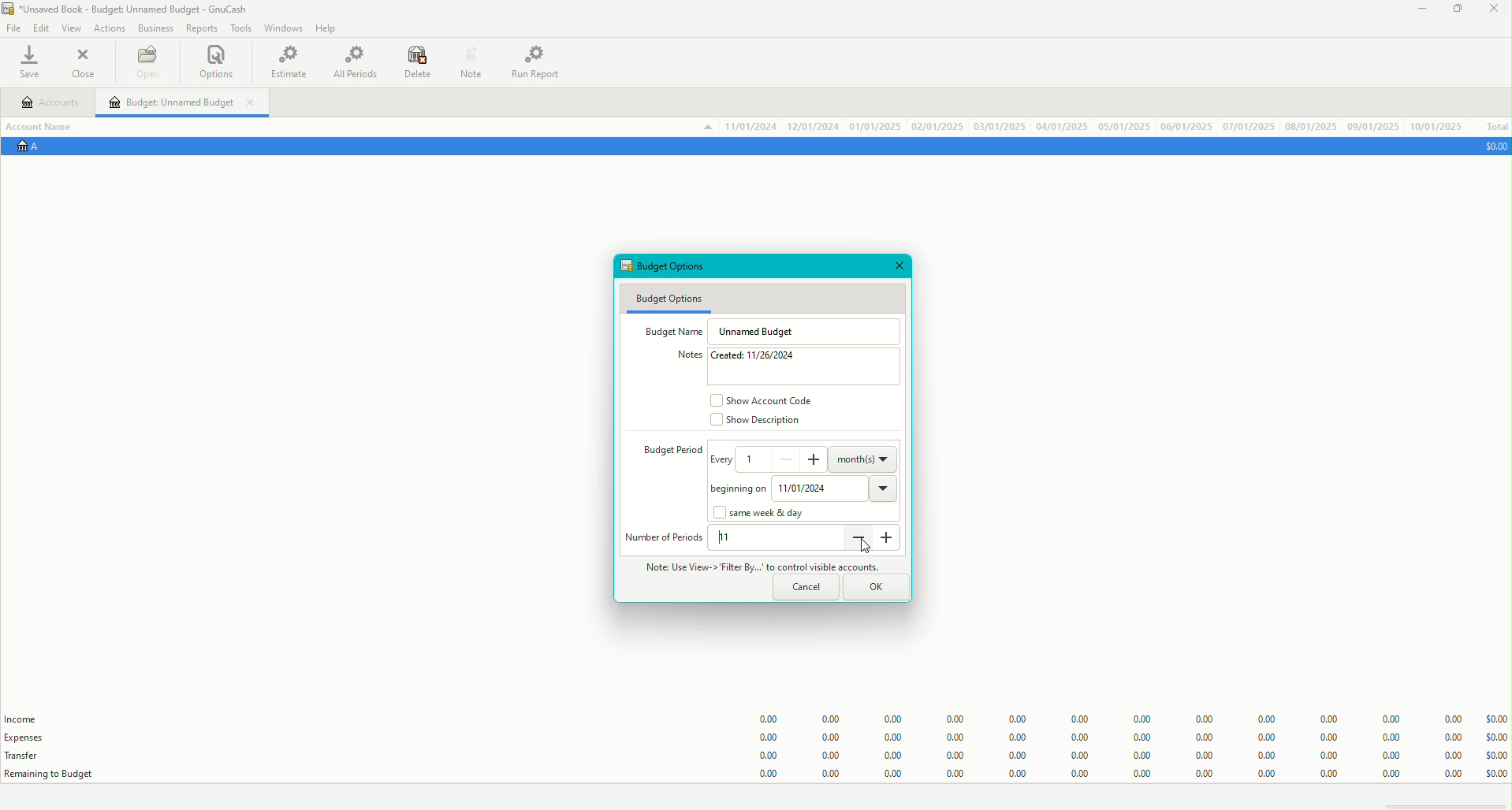 The height and width of the screenshot is (810, 1512). I want to click on Accounts, so click(51, 104).